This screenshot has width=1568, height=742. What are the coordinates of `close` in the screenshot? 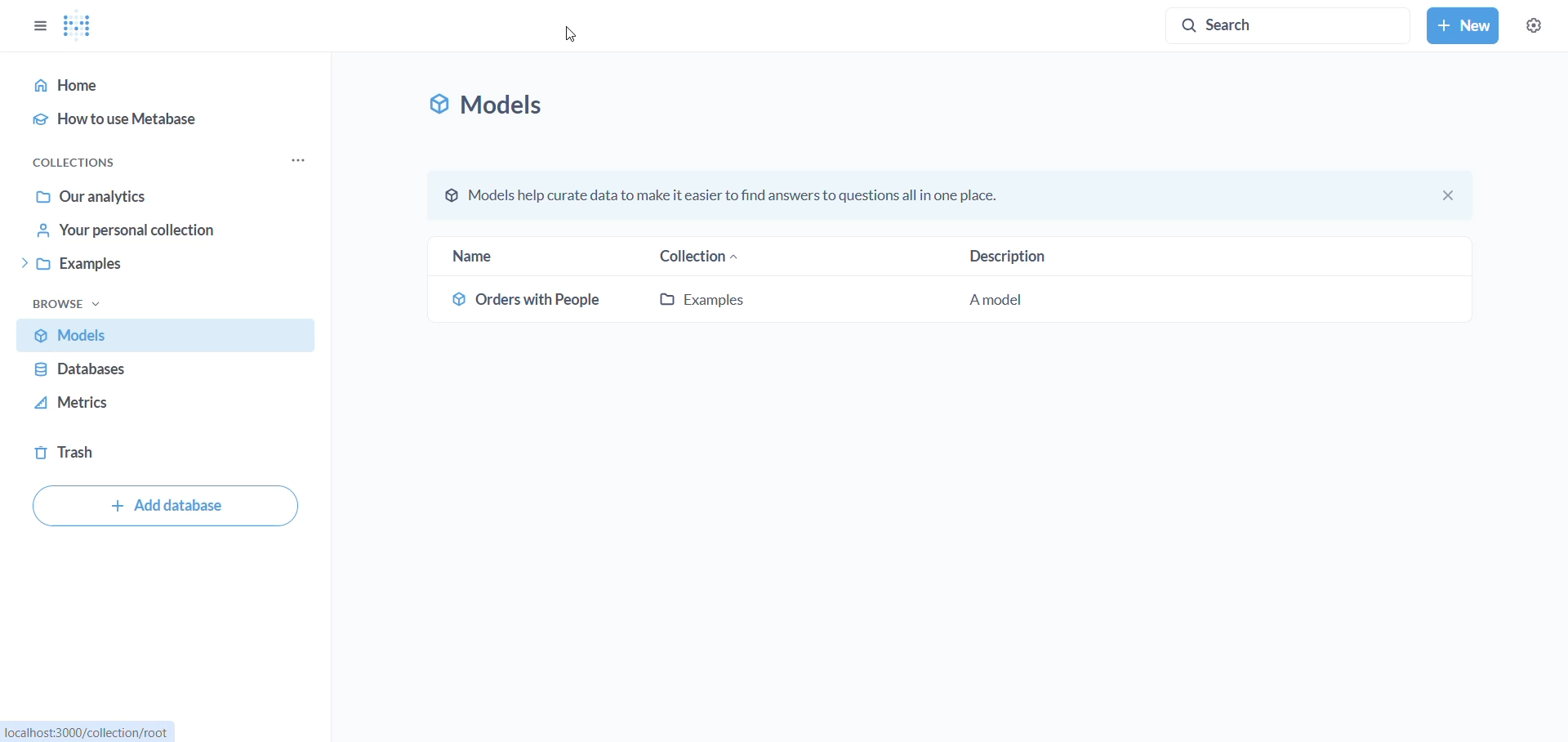 It's located at (1454, 194).